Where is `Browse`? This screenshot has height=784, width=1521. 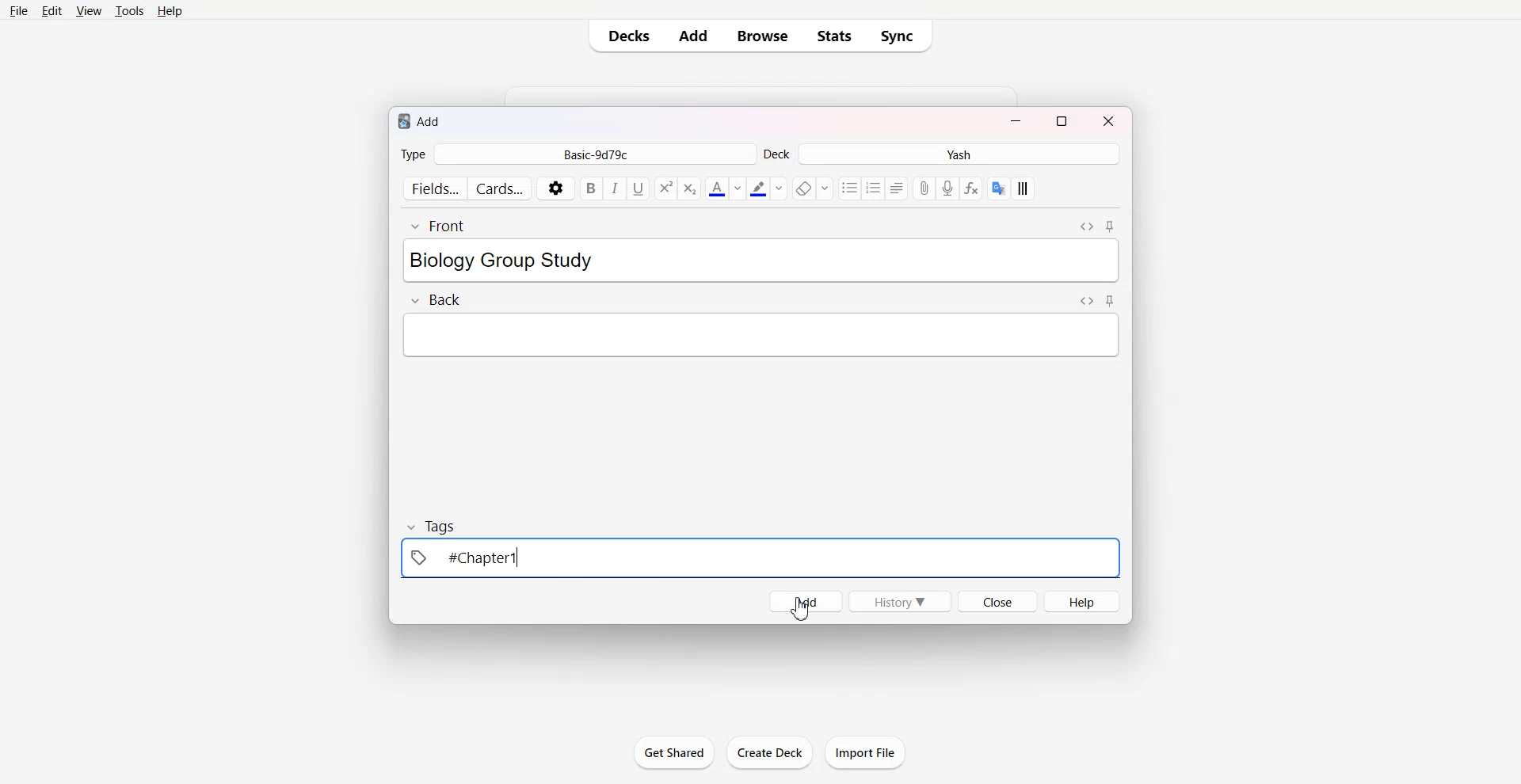 Browse is located at coordinates (760, 36).